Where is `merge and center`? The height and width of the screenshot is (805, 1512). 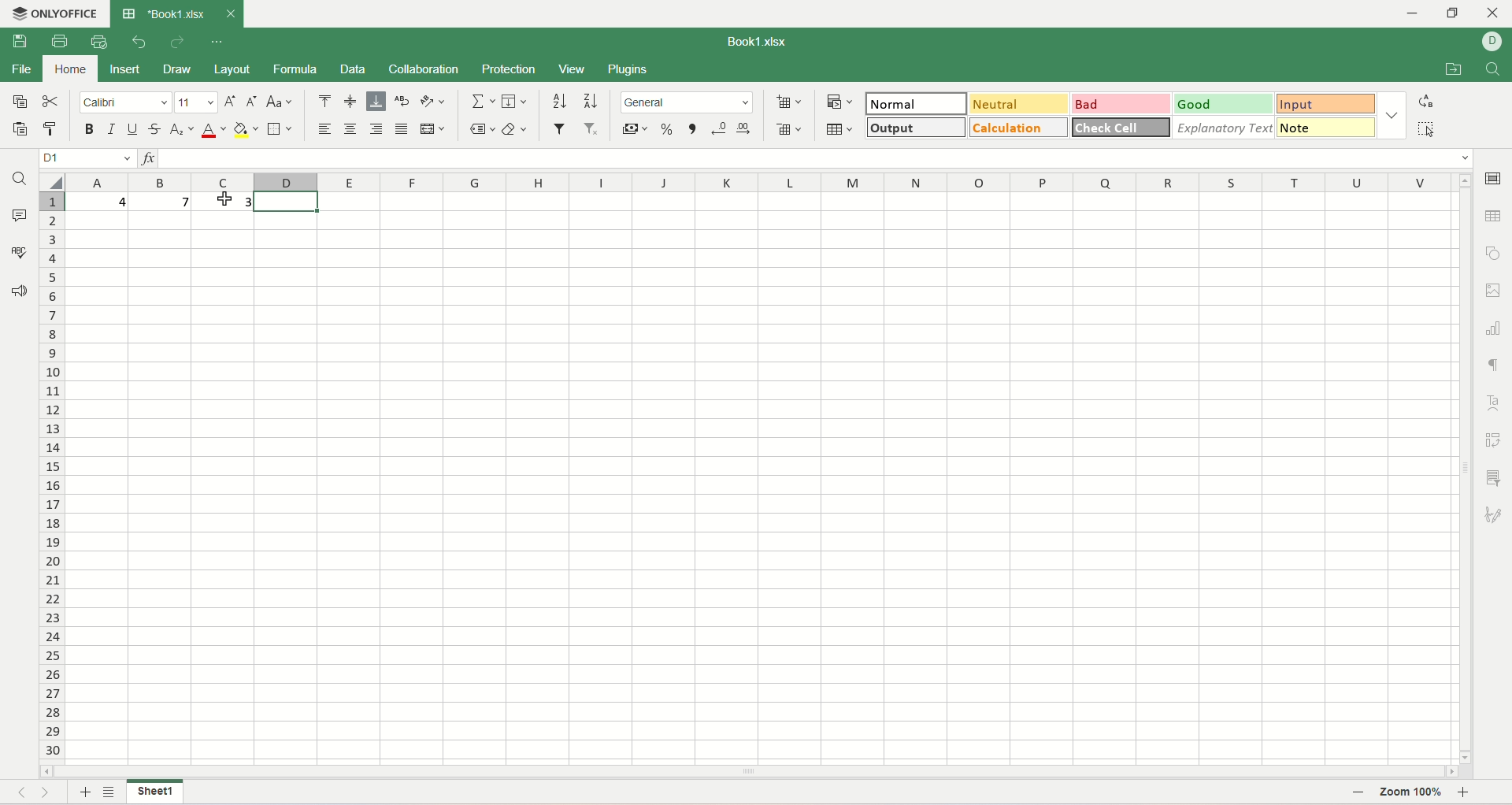
merge and center is located at coordinates (432, 129).